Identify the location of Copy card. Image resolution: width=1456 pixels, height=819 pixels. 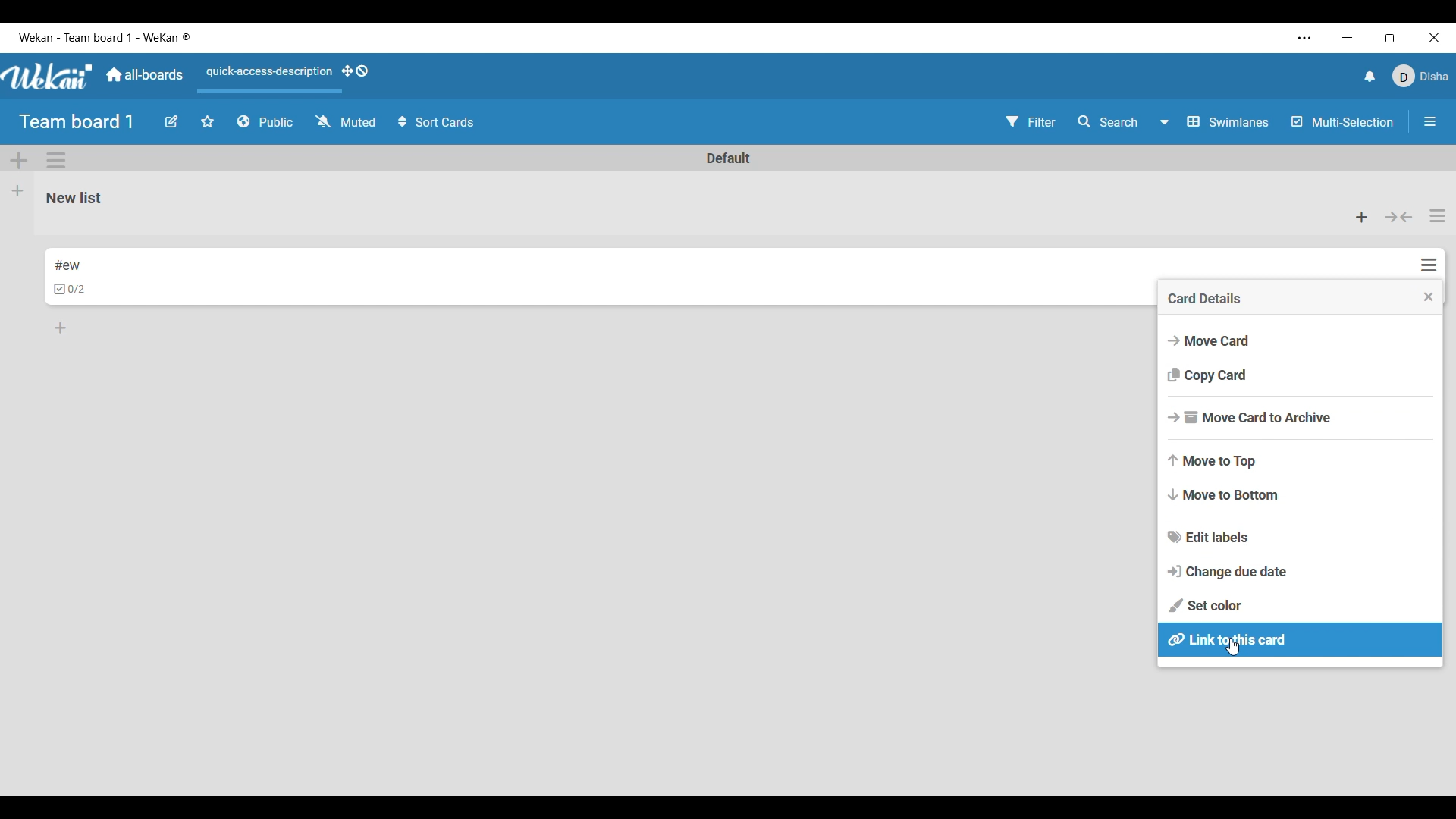
(1301, 376).